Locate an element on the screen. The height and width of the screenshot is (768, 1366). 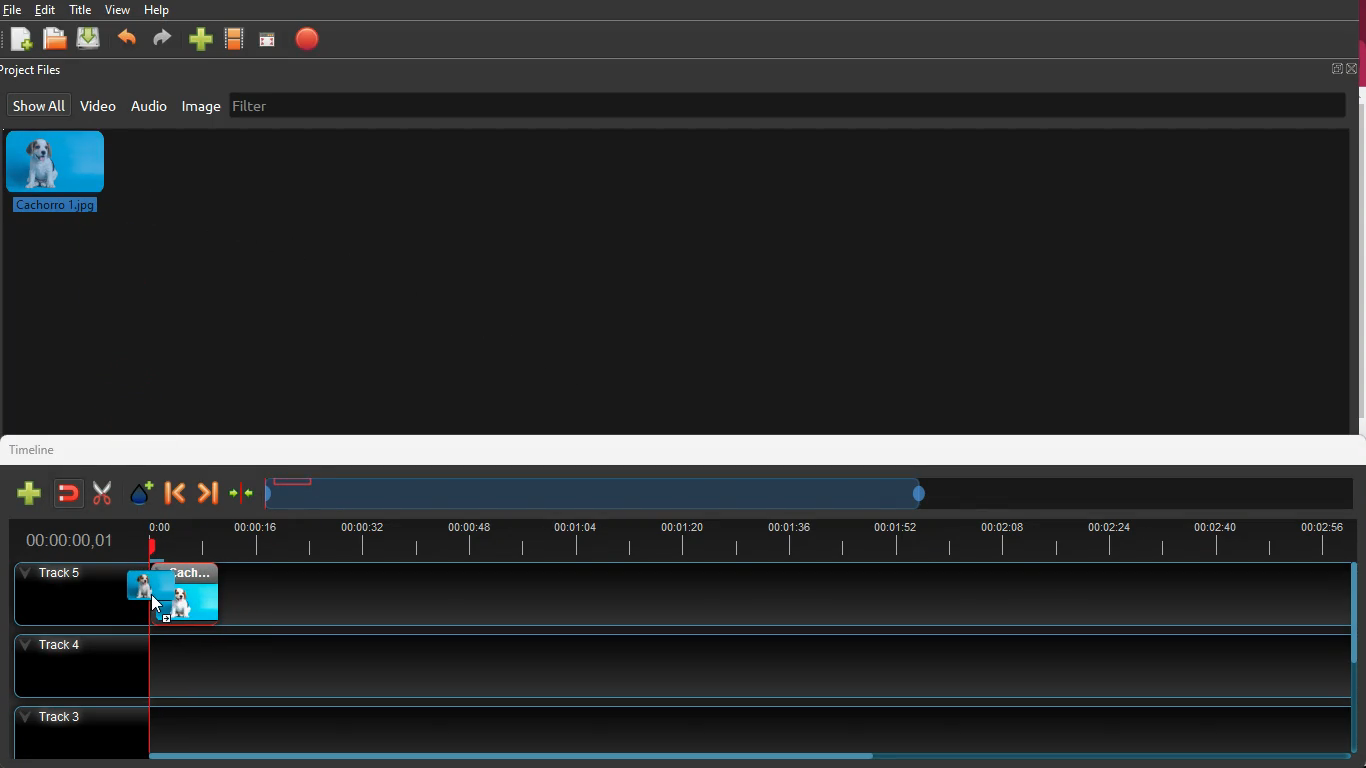
title is located at coordinates (83, 9).